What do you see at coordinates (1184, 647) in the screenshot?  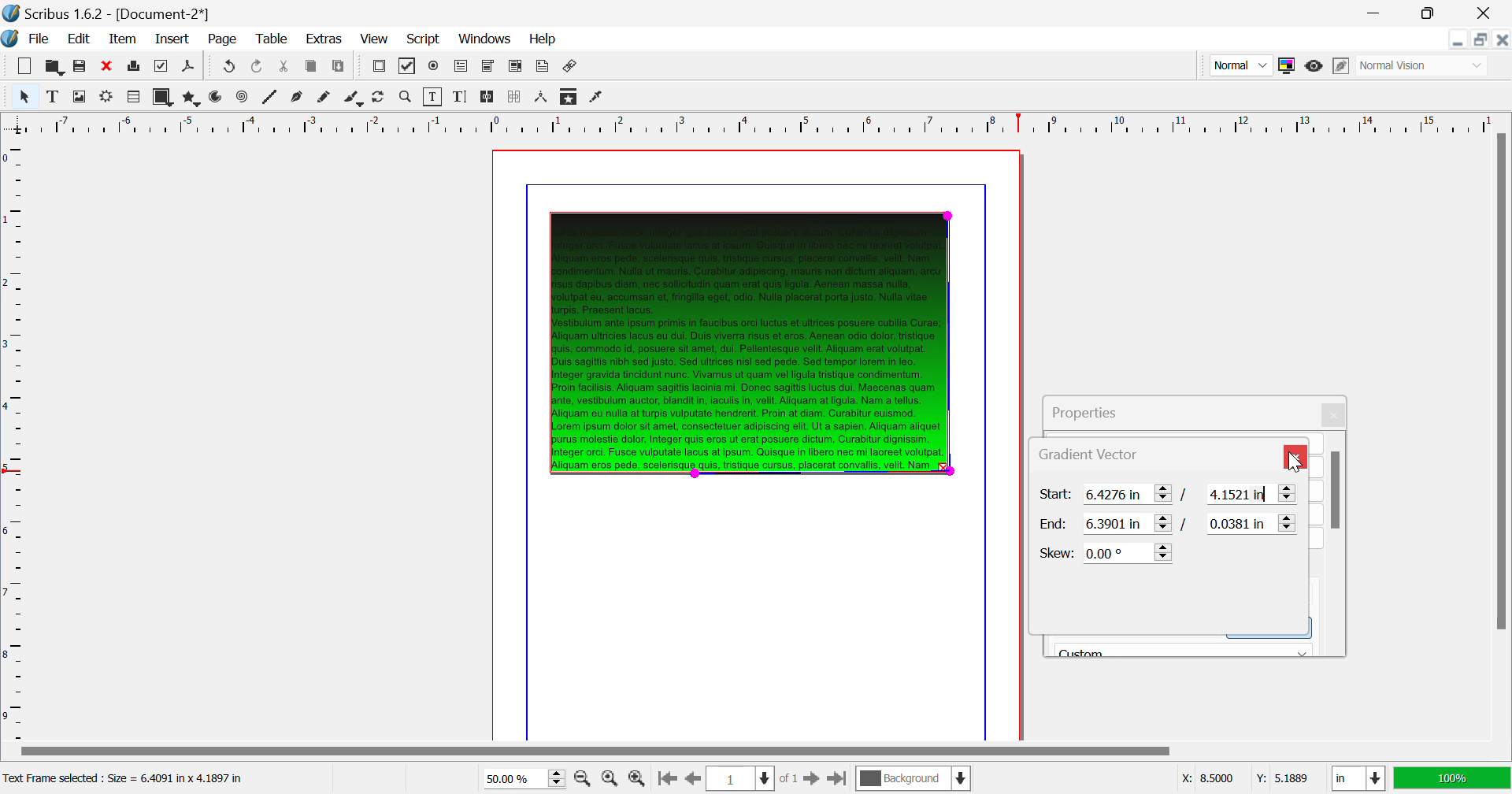 I see `Black` at bounding box center [1184, 647].